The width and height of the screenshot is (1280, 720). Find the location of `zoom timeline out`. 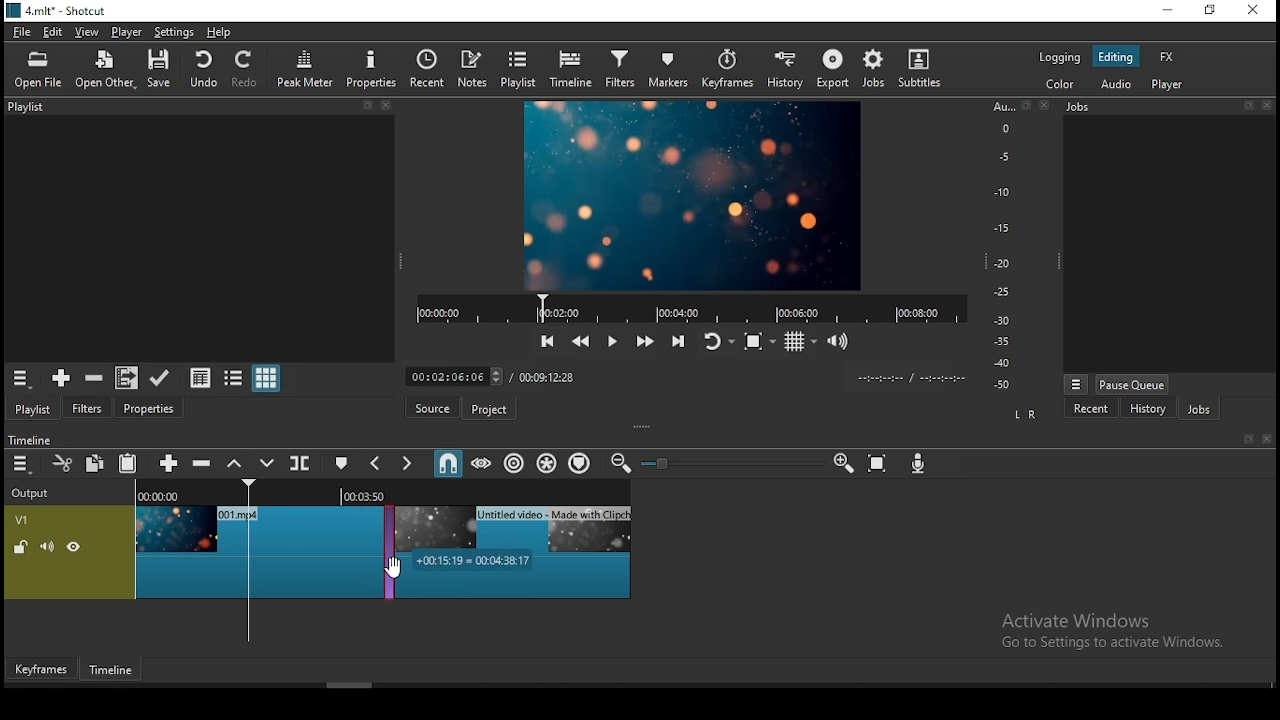

zoom timeline out is located at coordinates (619, 464).